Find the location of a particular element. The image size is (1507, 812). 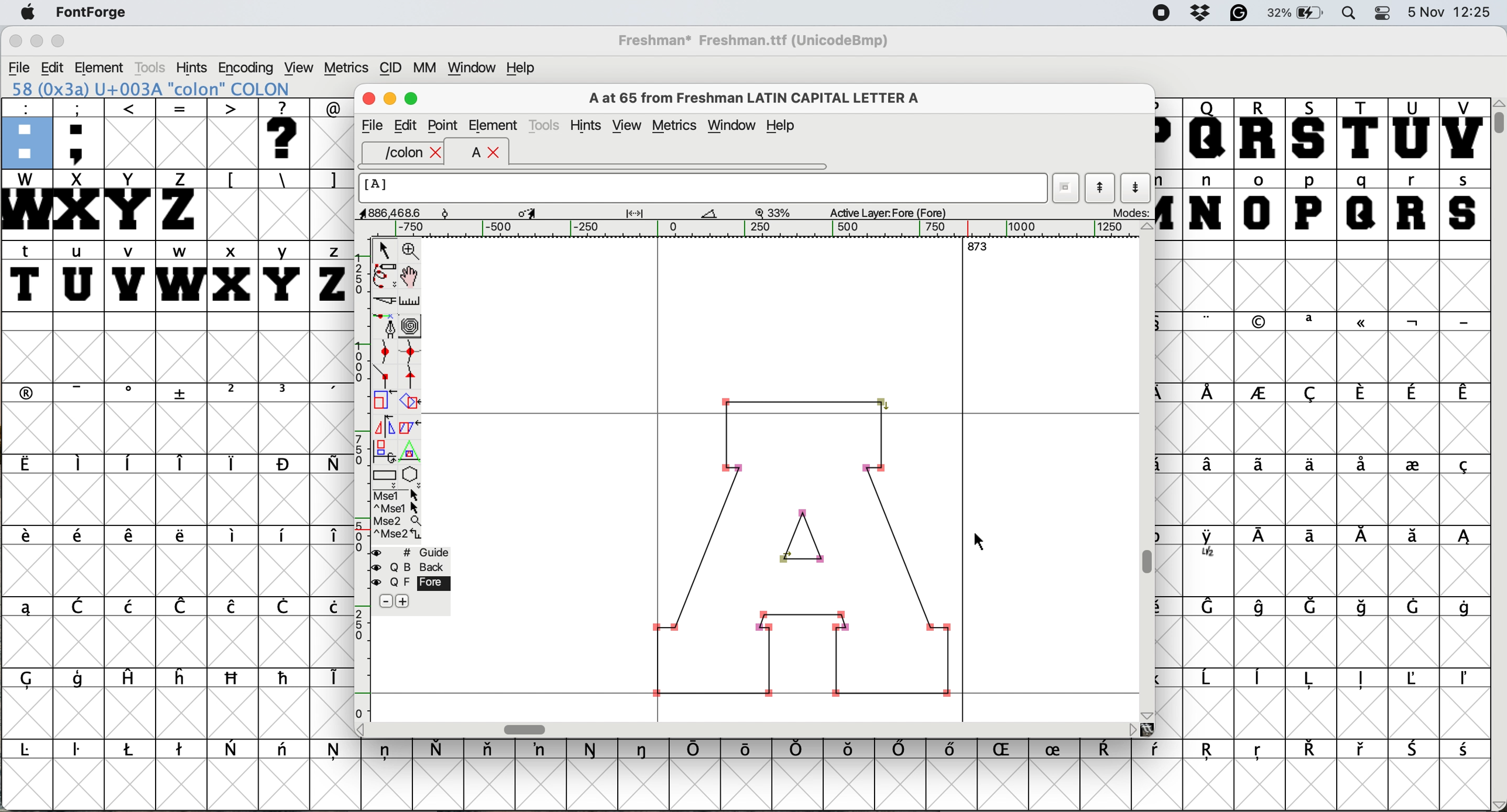

symbol is located at coordinates (1264, 607).